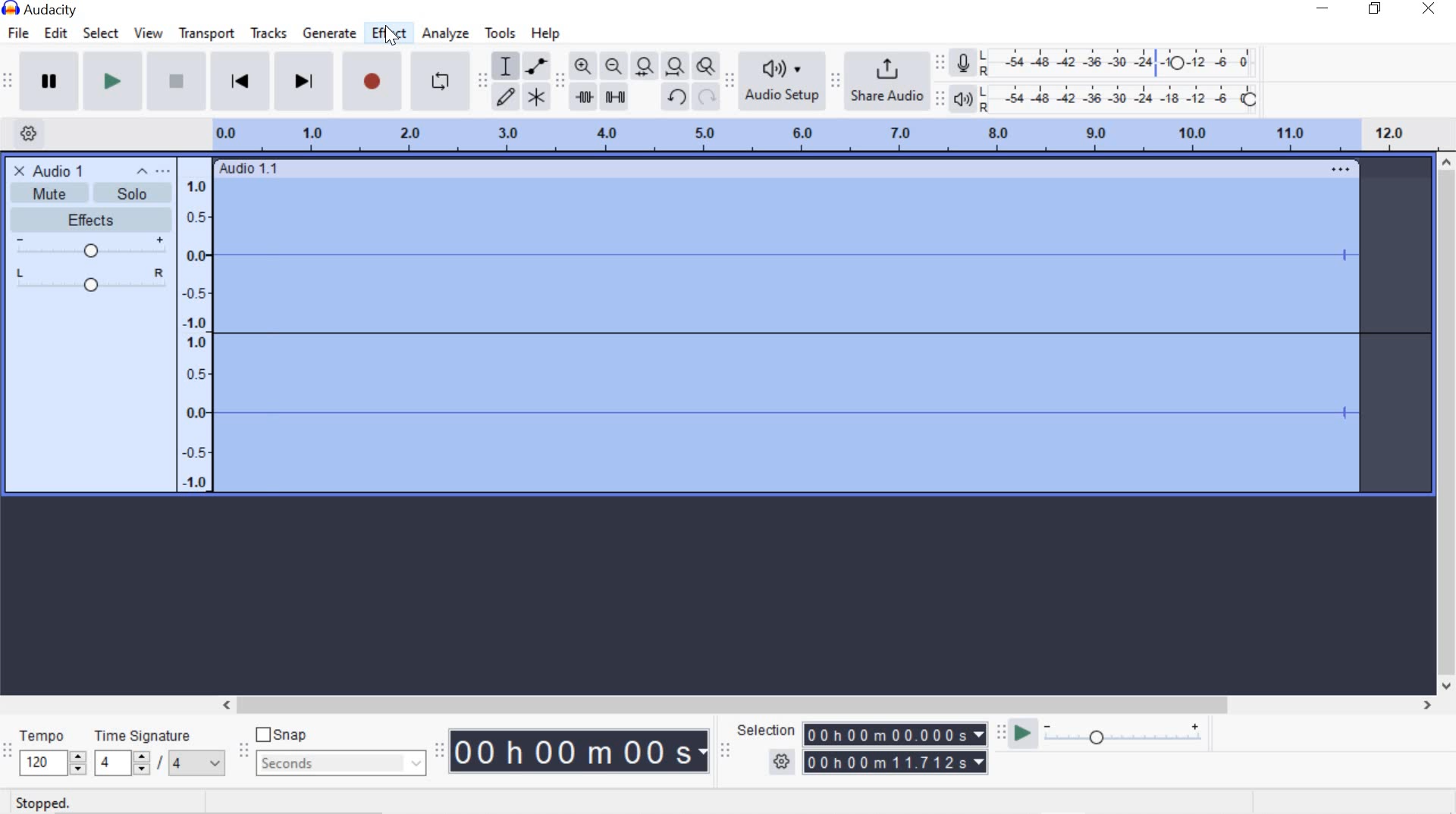 The width and height of the screenshot is (1456, 814). Describe the element at coordinates (89, 249) in the screenshot. I see `Gain` at that location.